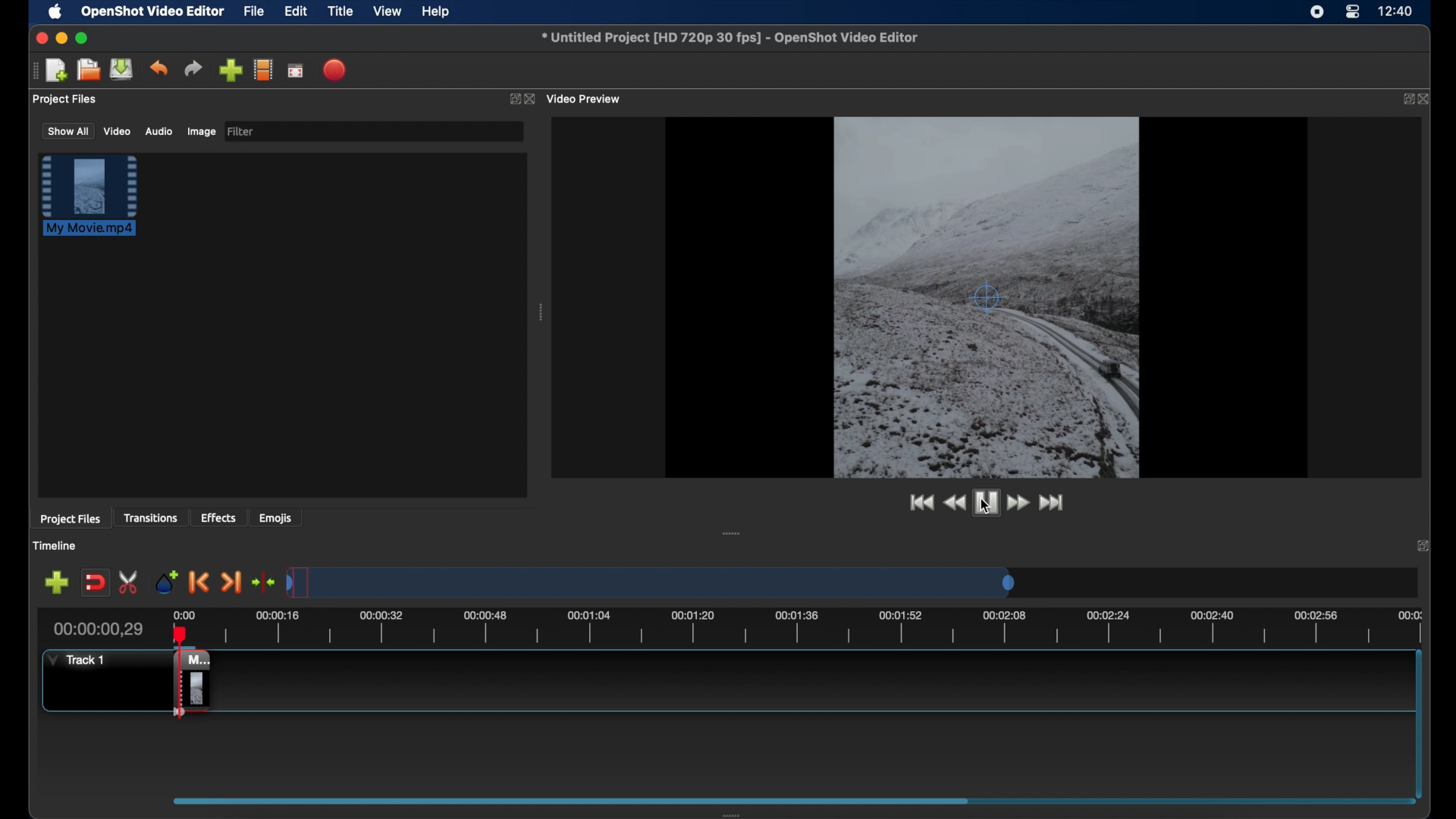 This screenshot has height=819, width=1456. Describe the element at coordinates (197, 582) in the screenshot. I see `previous marker` at that location.